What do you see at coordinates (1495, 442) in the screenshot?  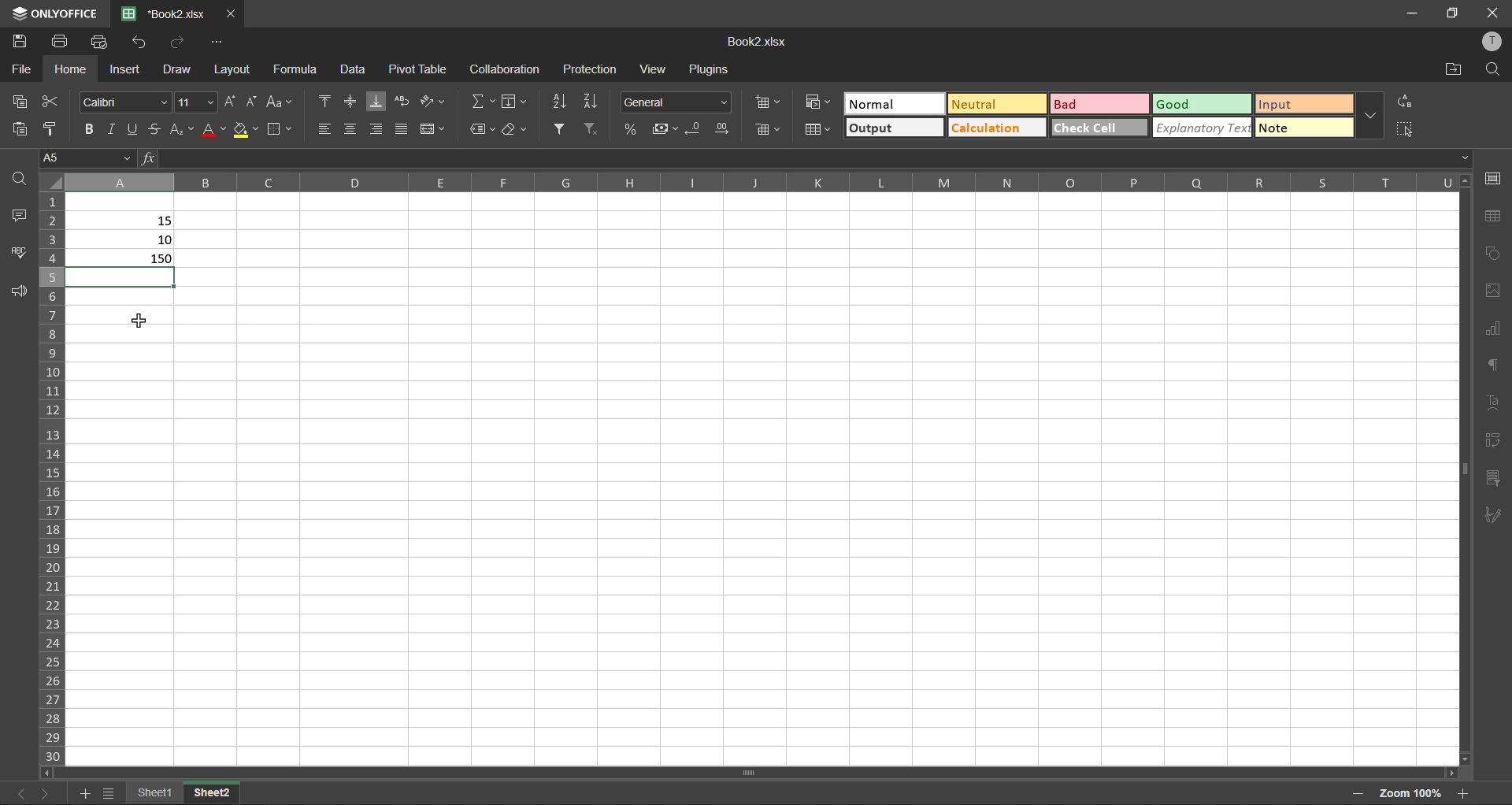 I see `pivot table` at bounding box center [1495, 442].